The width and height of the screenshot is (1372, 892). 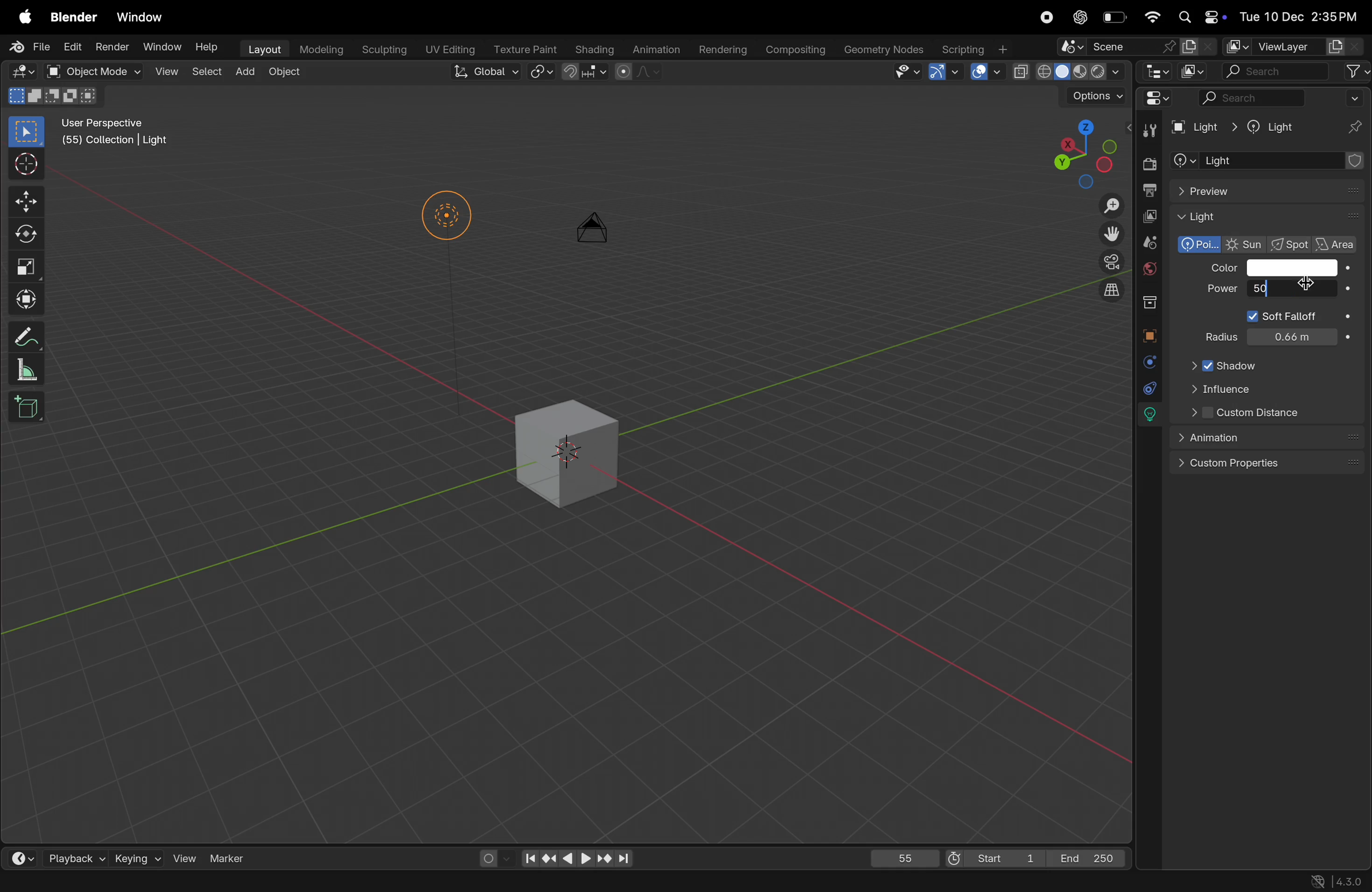 I want to click on animation, so click(x=1269, y=439).